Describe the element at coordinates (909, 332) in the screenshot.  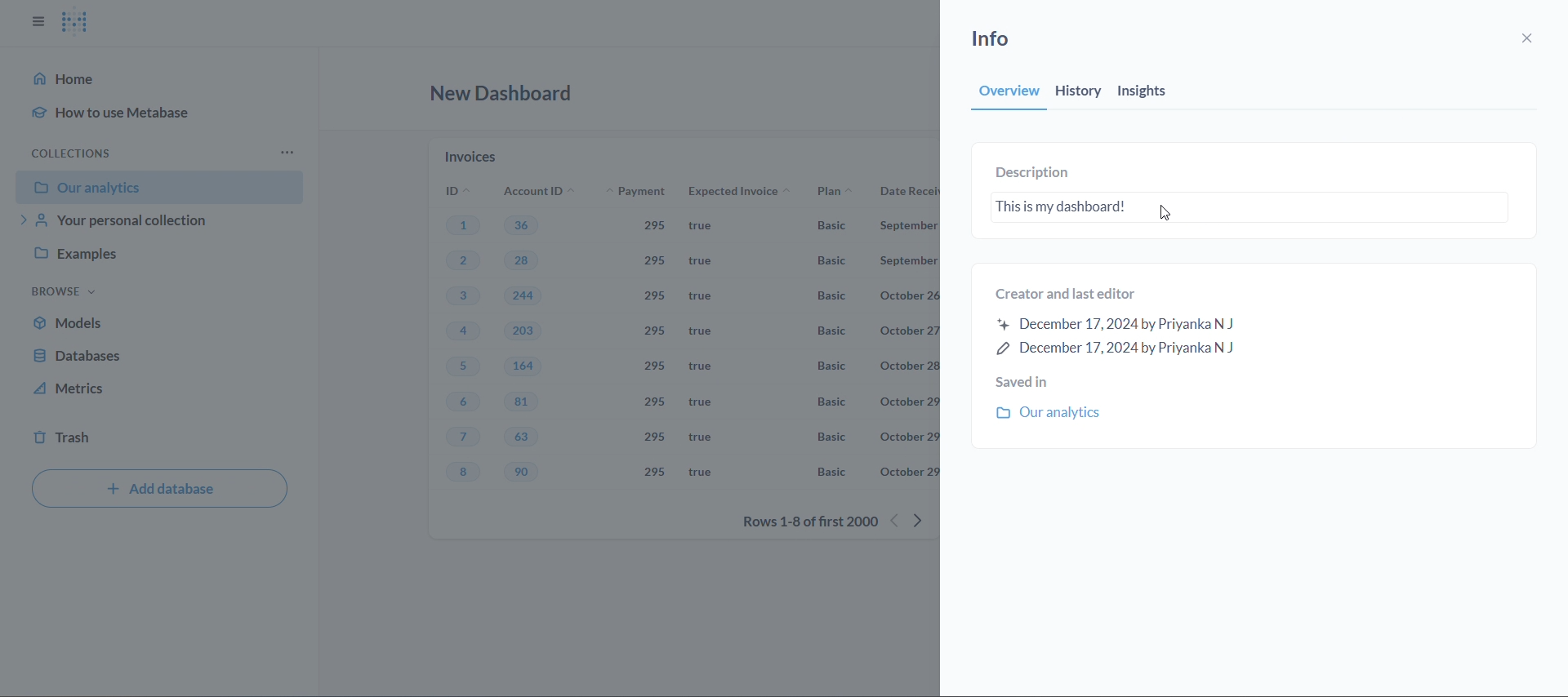
I see `october 27` at that location.